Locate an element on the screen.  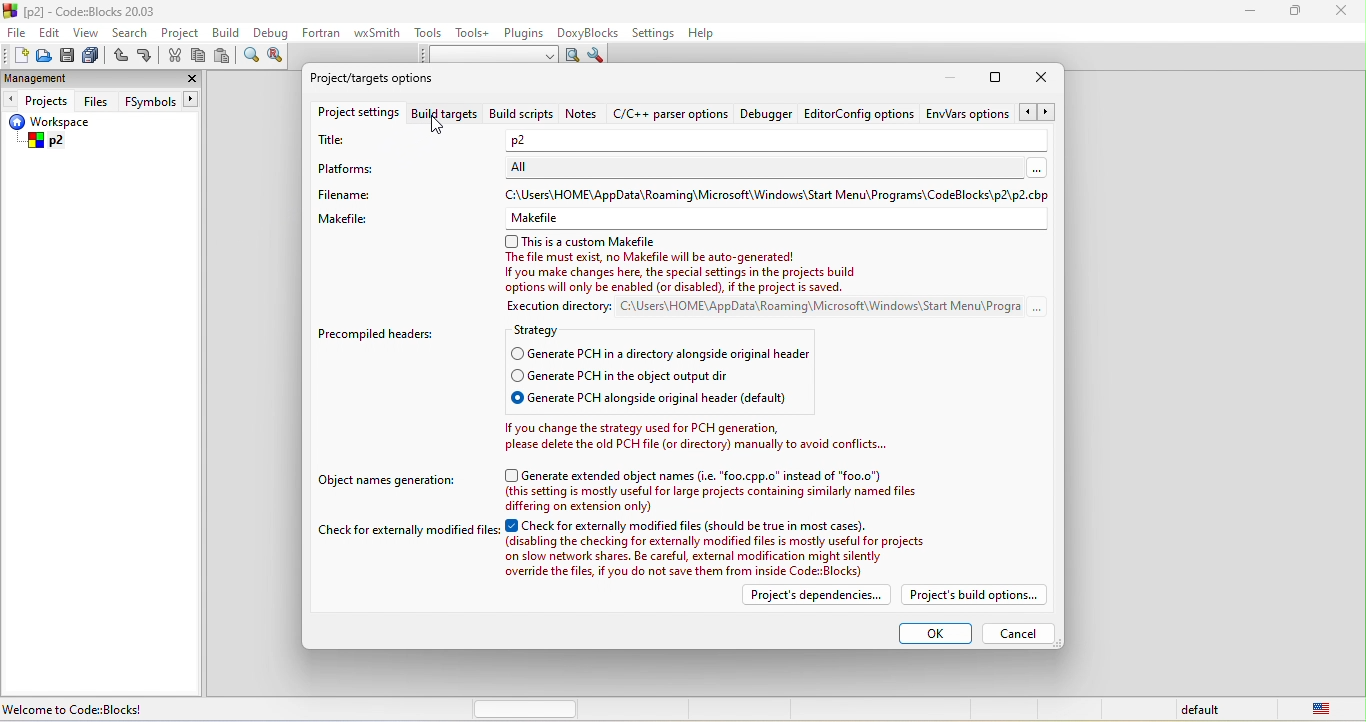
close is located at coordinates (189, 78).